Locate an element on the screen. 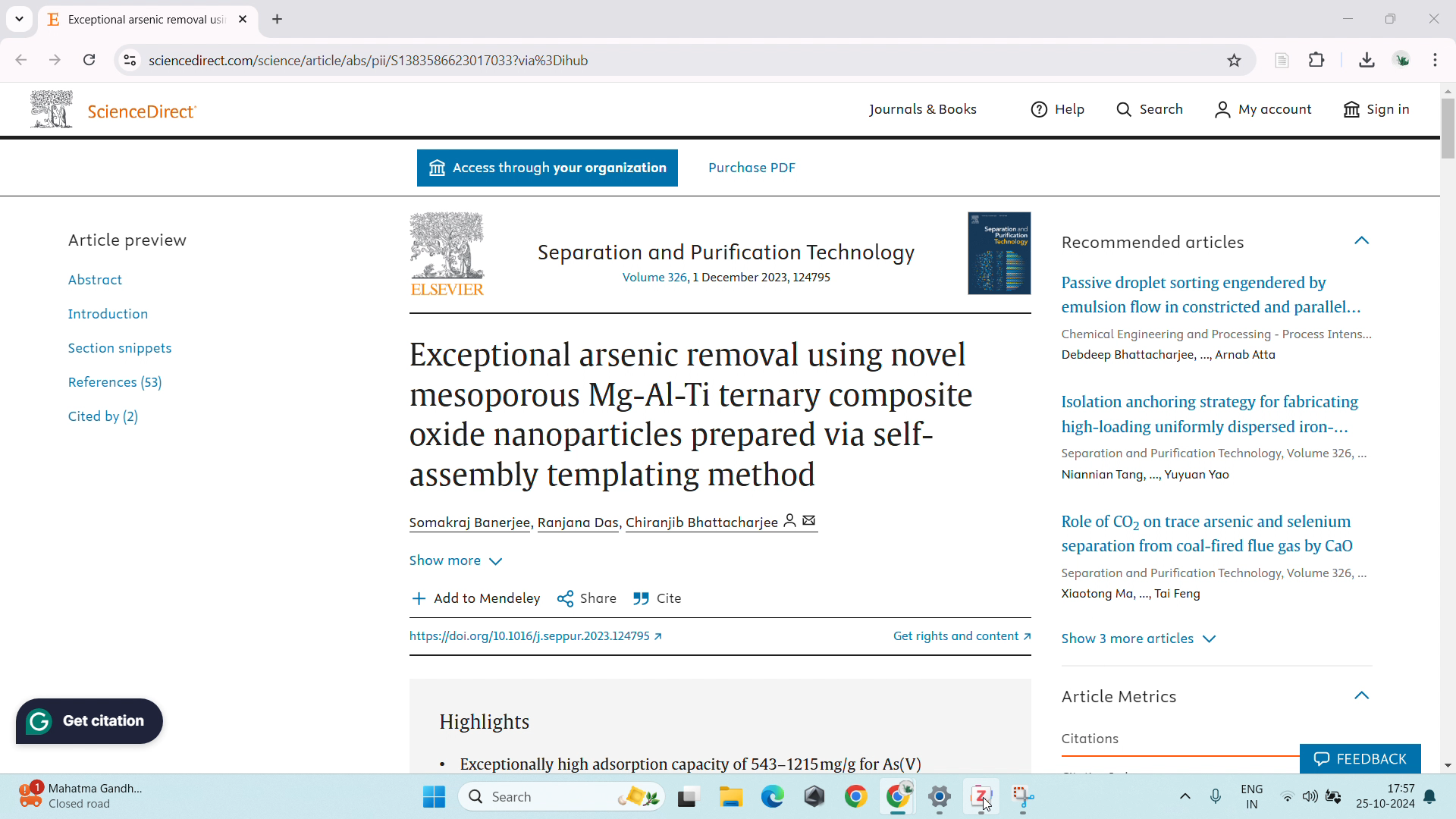 This screenshot has height=819, width=1456. Article preview is located at coordinates (130, 239).